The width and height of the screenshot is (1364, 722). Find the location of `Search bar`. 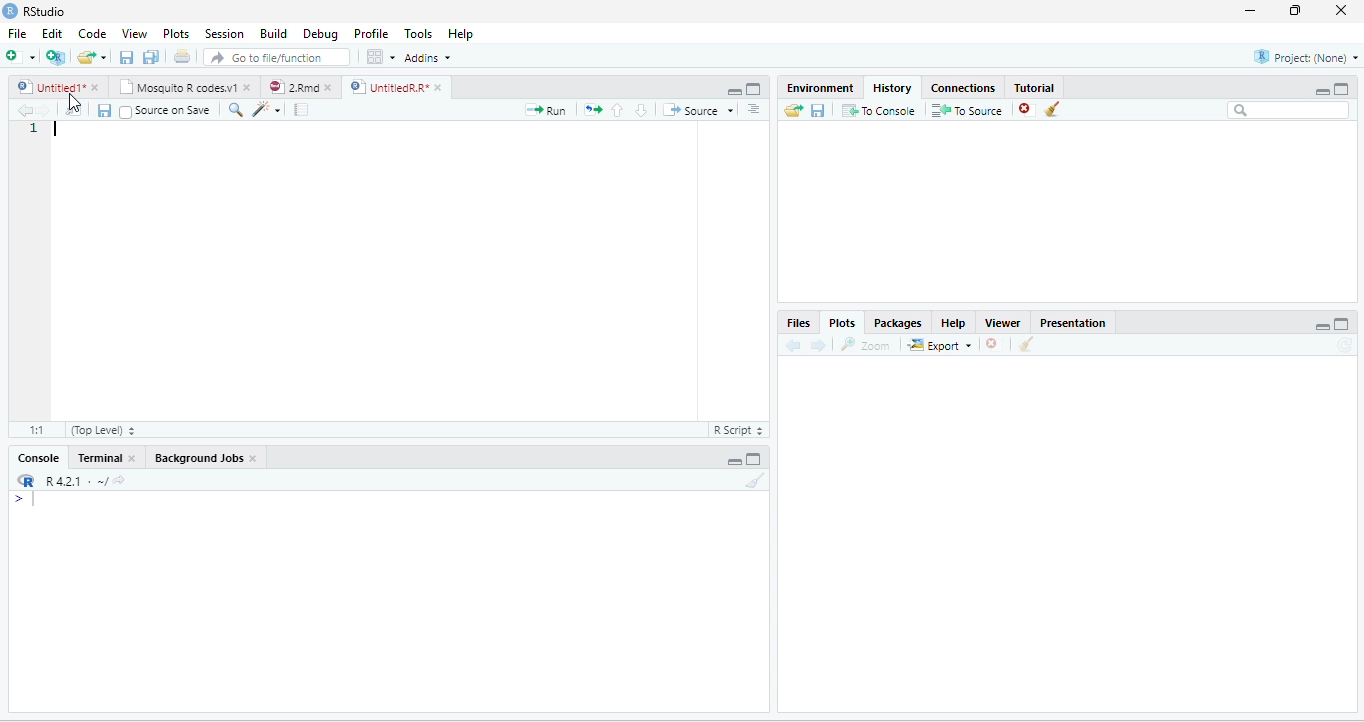

Search bar is located at coordinates (1288, 111).